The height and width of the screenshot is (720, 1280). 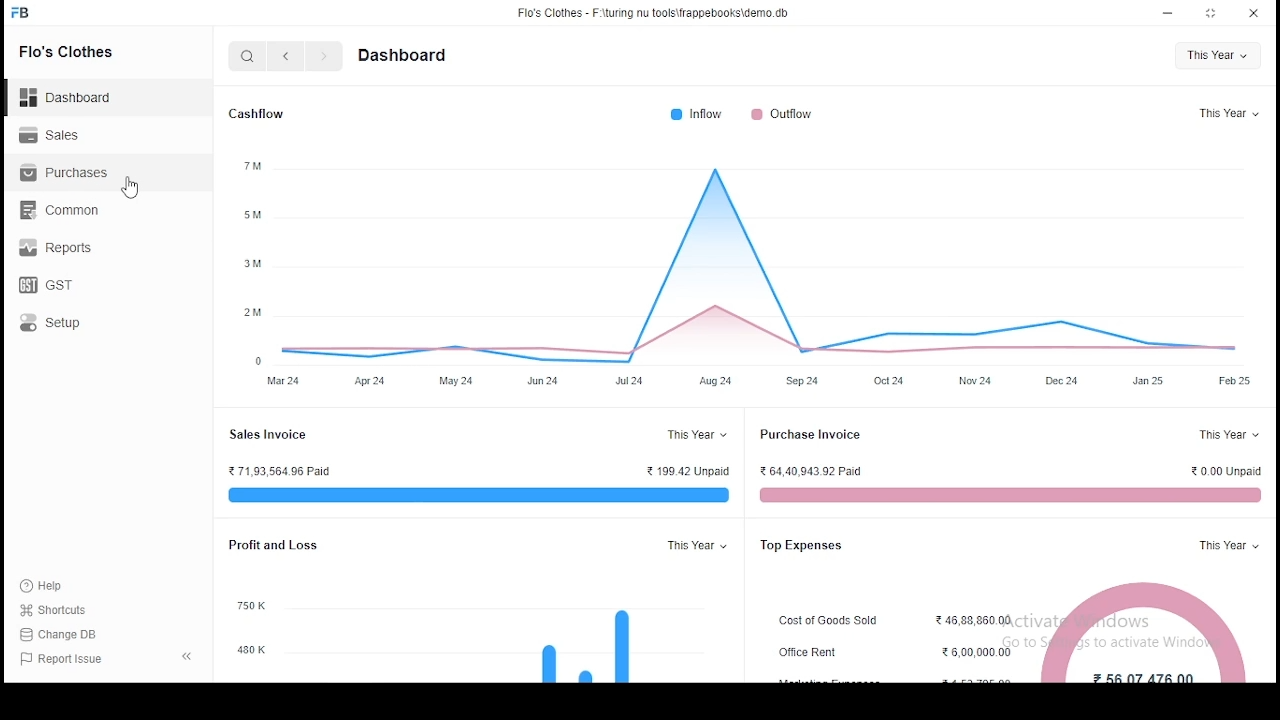 I want to click on may 24, so click(x=456, y=381).